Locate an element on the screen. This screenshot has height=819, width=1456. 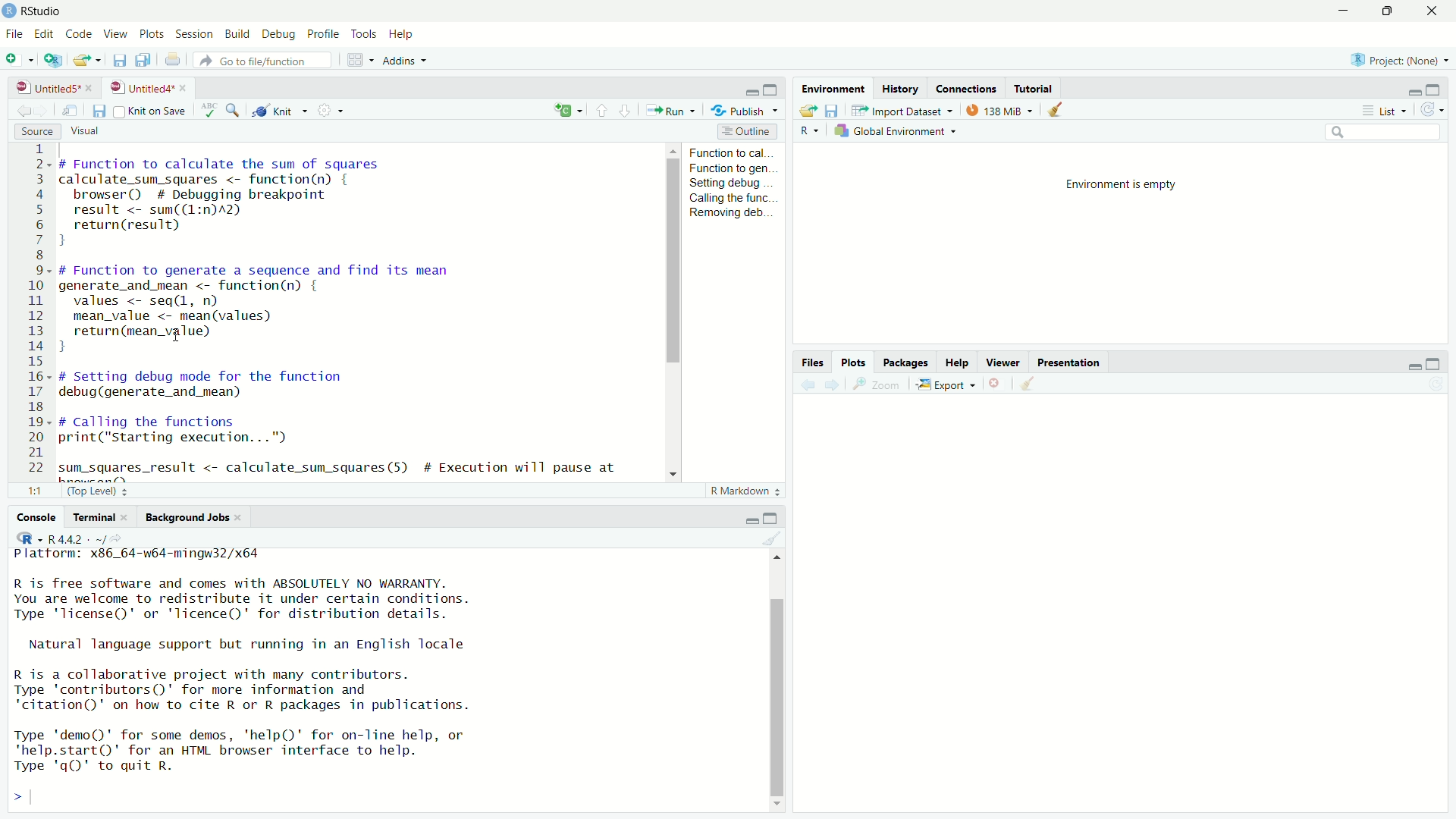
save current document is located at coordinates (98, 110).